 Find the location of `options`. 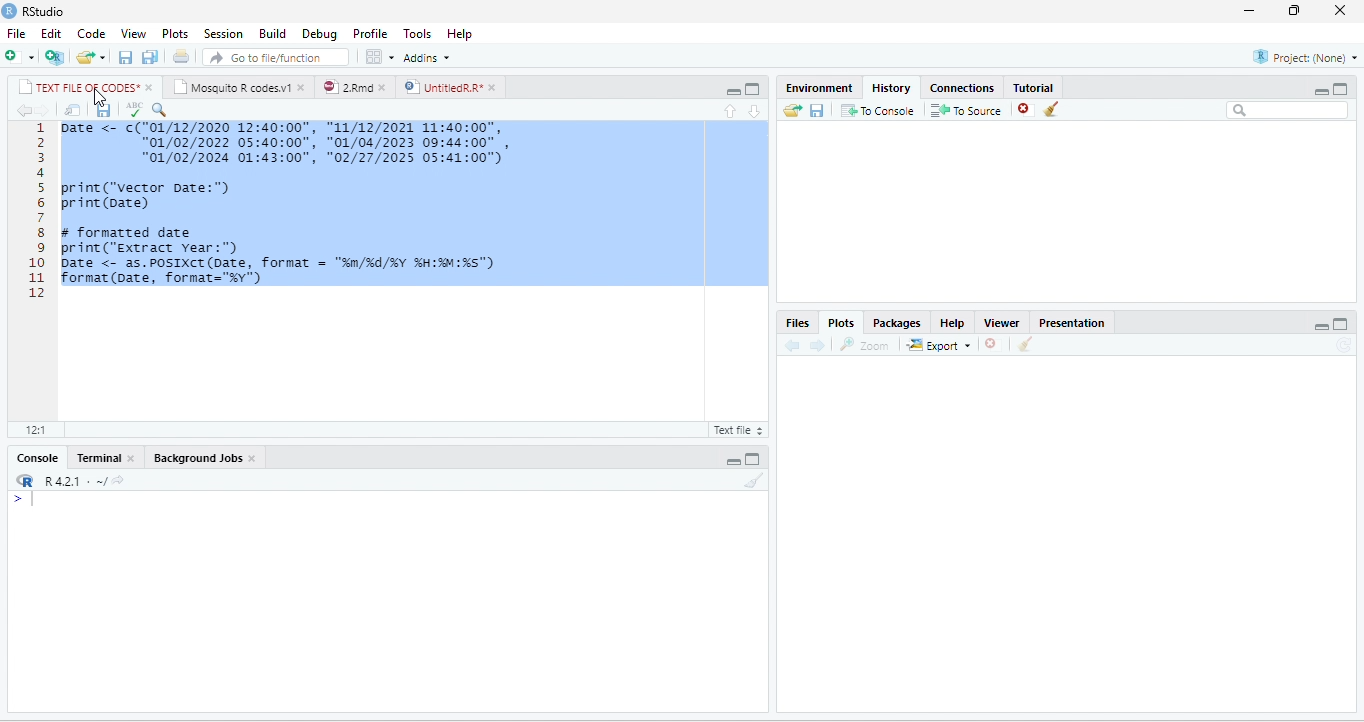

options is located at coordinates (381, 57).